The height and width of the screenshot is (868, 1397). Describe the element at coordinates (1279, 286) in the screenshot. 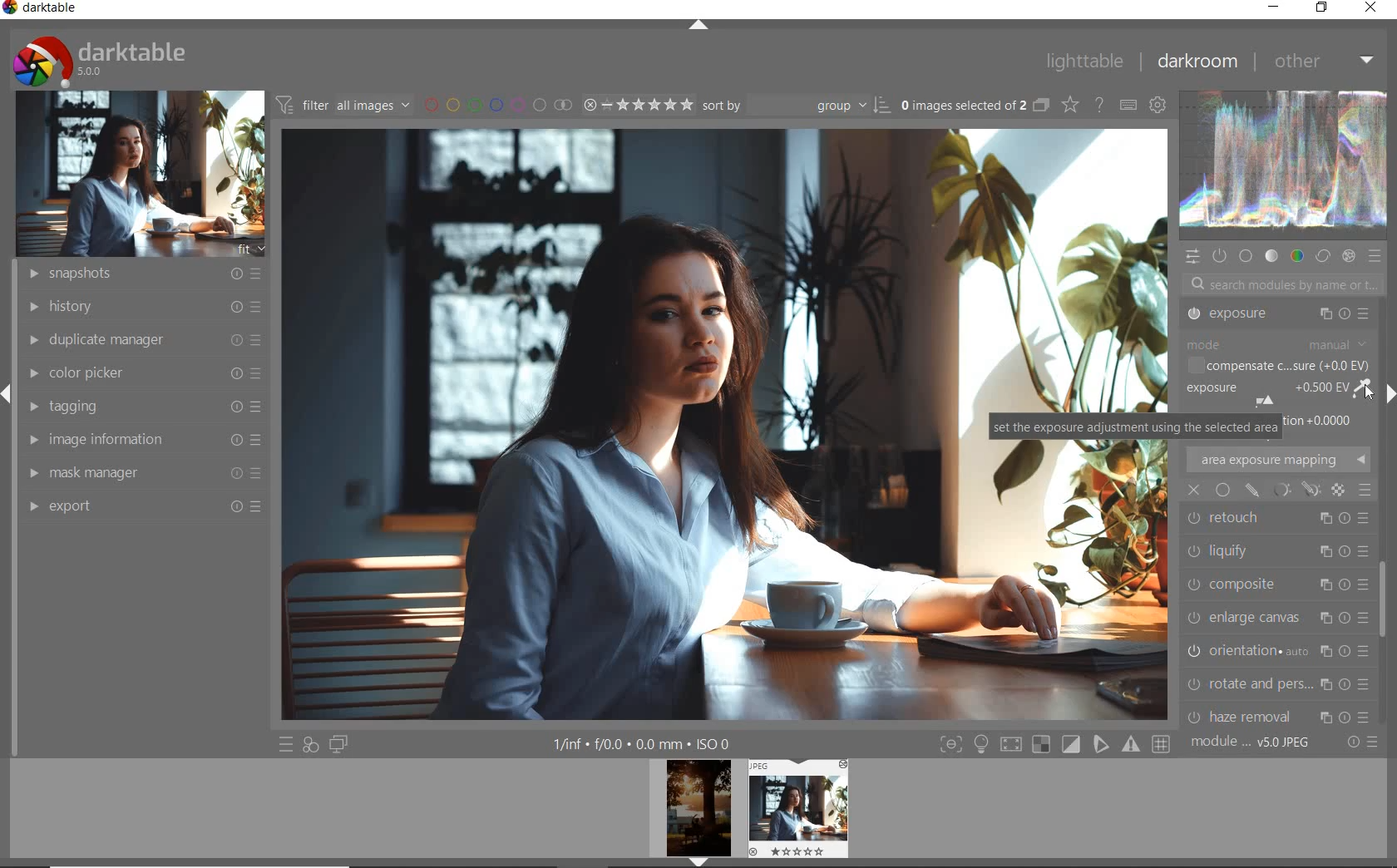

I see `Search bar` at that location.